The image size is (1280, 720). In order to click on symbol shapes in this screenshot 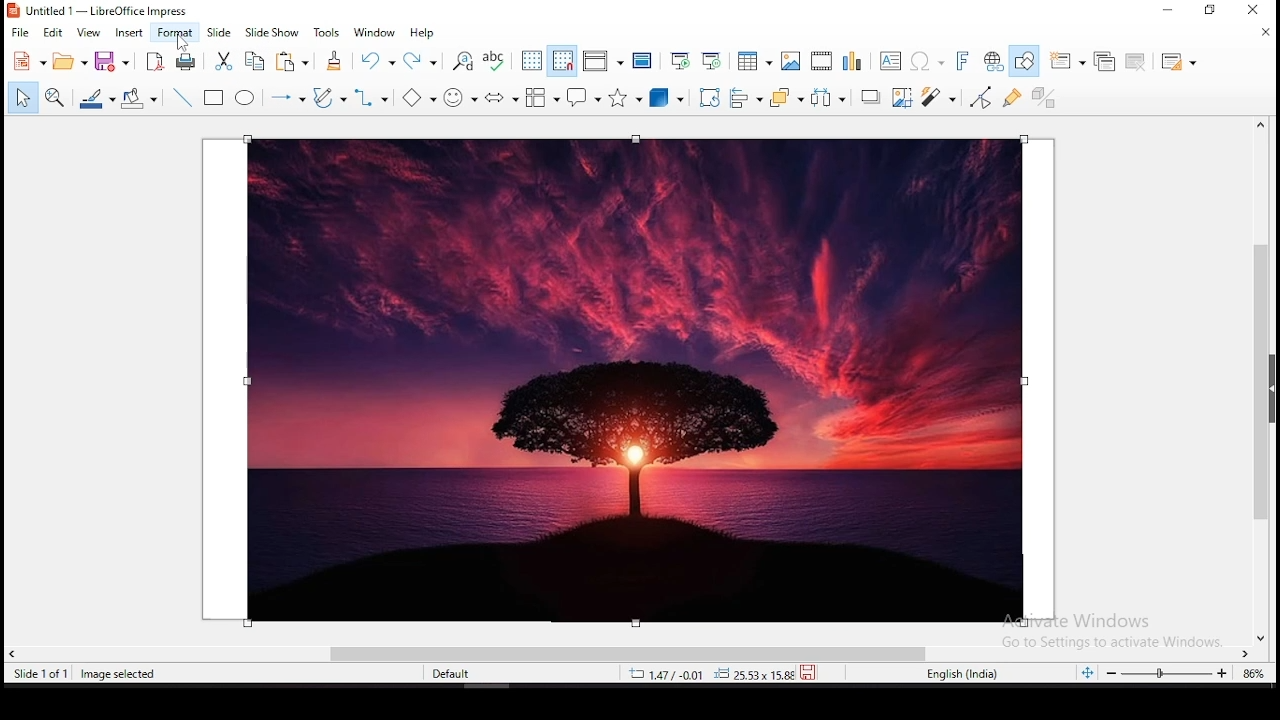, I will do `click(463, 96)`.